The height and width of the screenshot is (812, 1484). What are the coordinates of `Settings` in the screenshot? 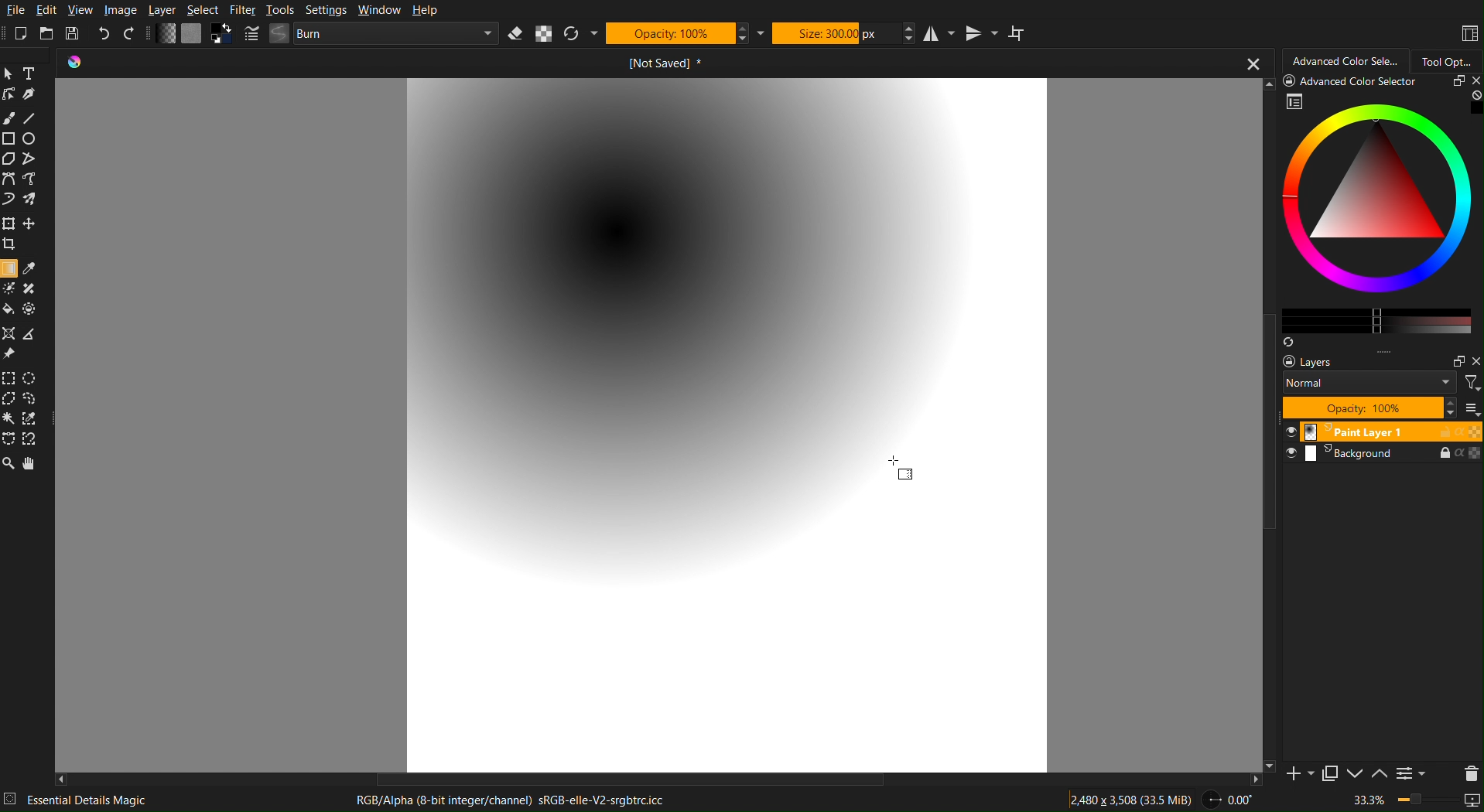 It's located at (1410, 775).